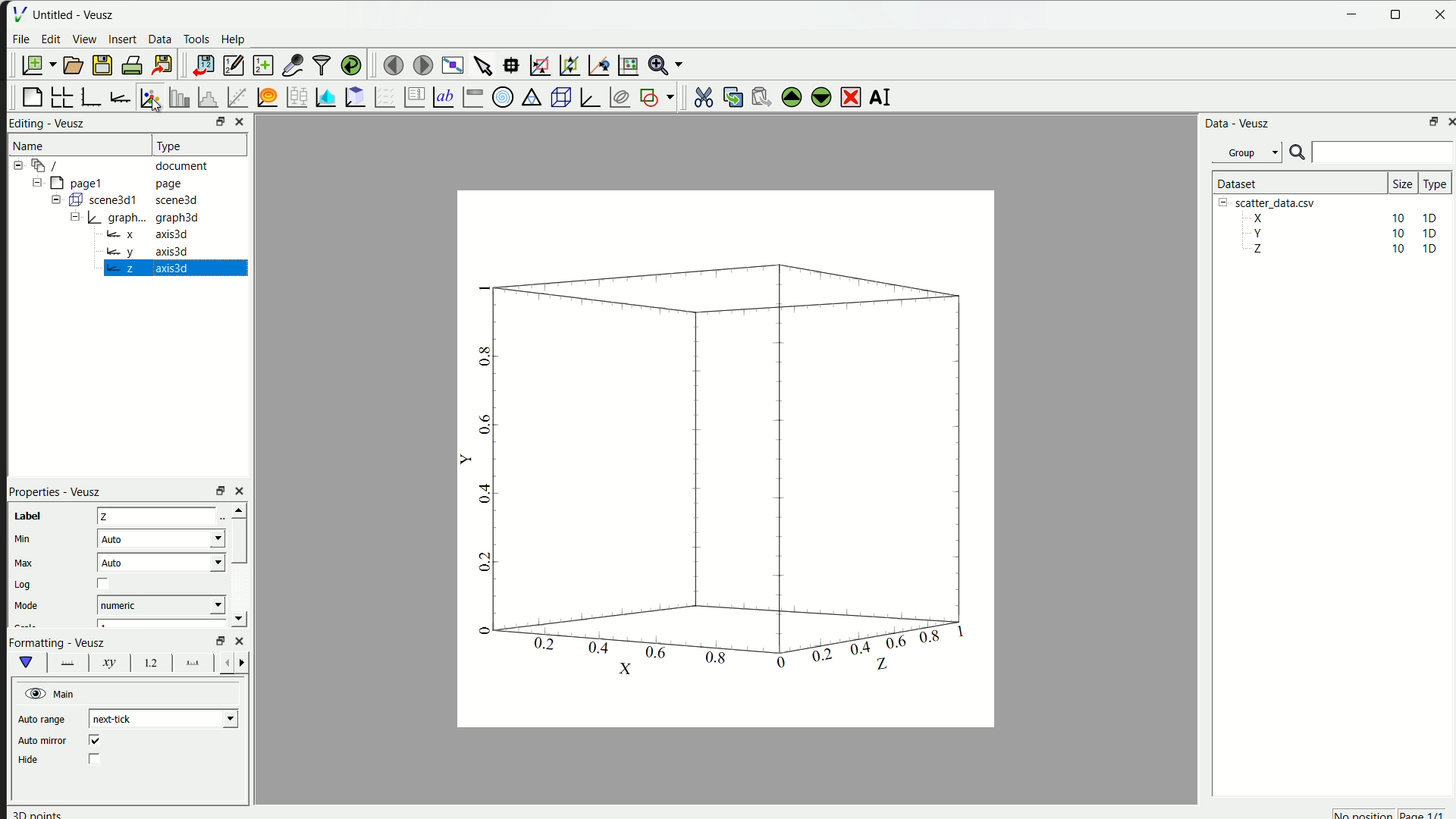 This screenshot has width=1456, height=819. I want to click on 3D scene, so click(559, 96).